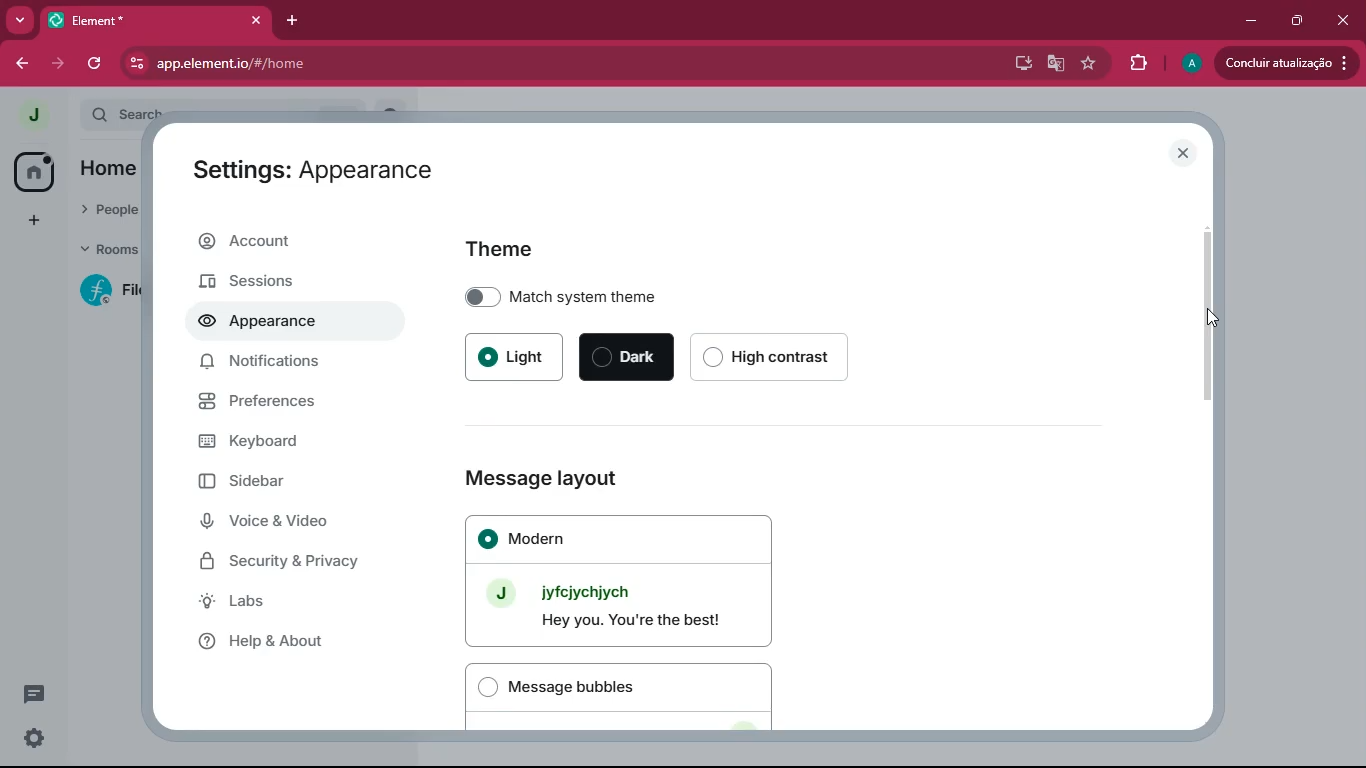 The image size is (1366, 768). What do you see at coordinates (1019, 64) in the screenshot?
I see `desktop` at bounding box center [1019, 64].